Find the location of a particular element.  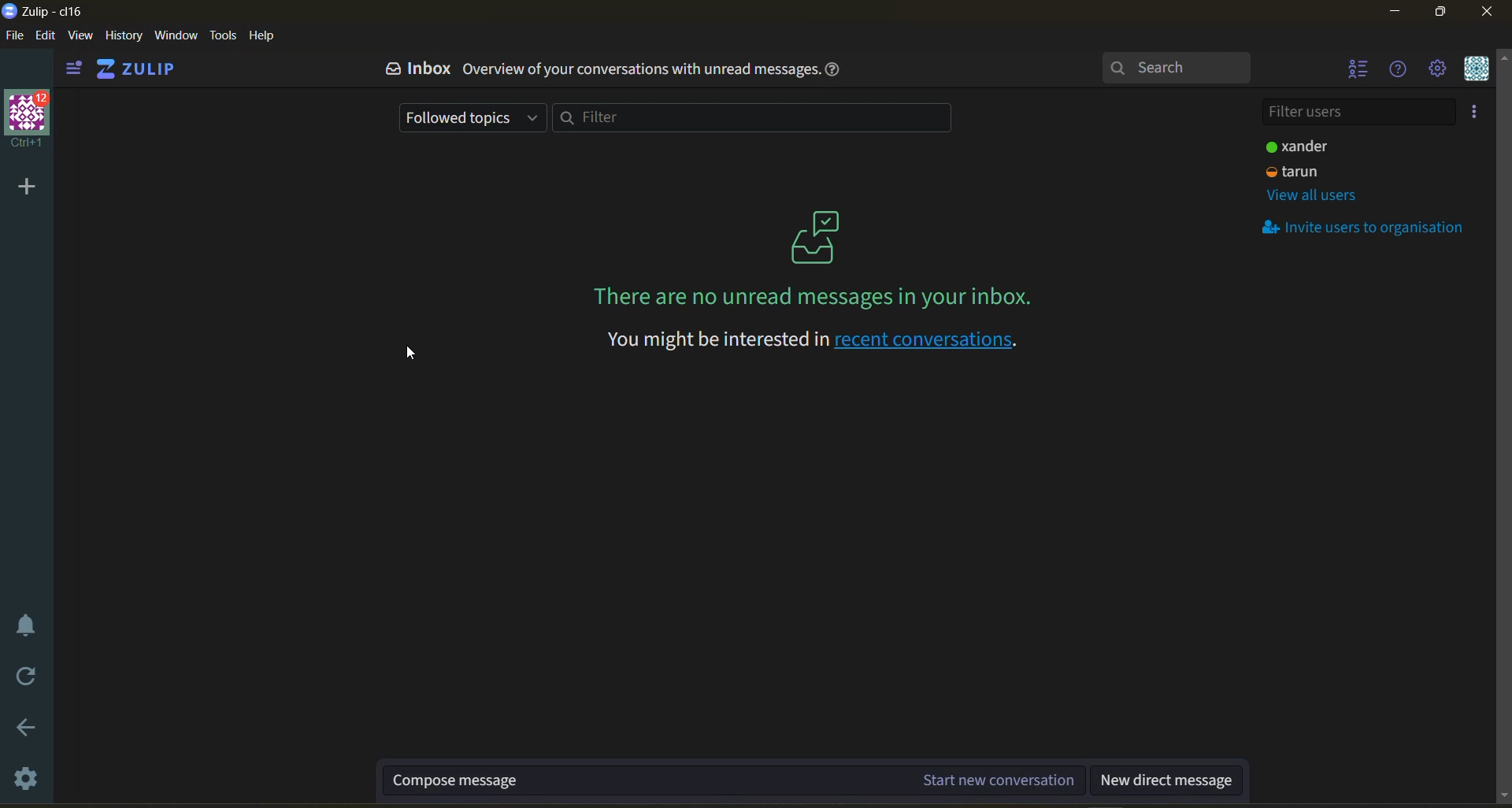

reload is located at coordinates (28, 679).